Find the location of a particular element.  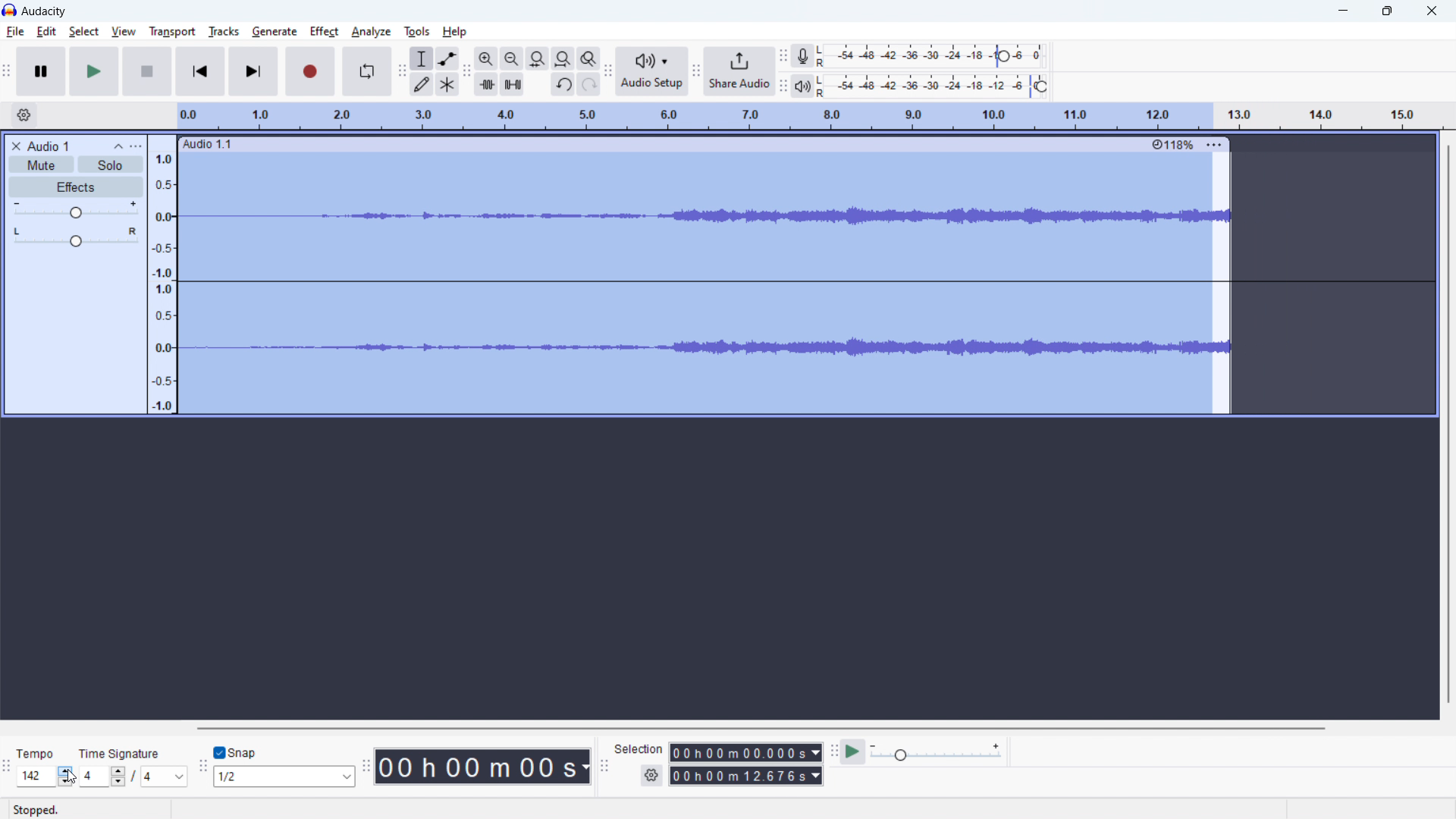

Scrollbar is located at coordinates (1448, 426).